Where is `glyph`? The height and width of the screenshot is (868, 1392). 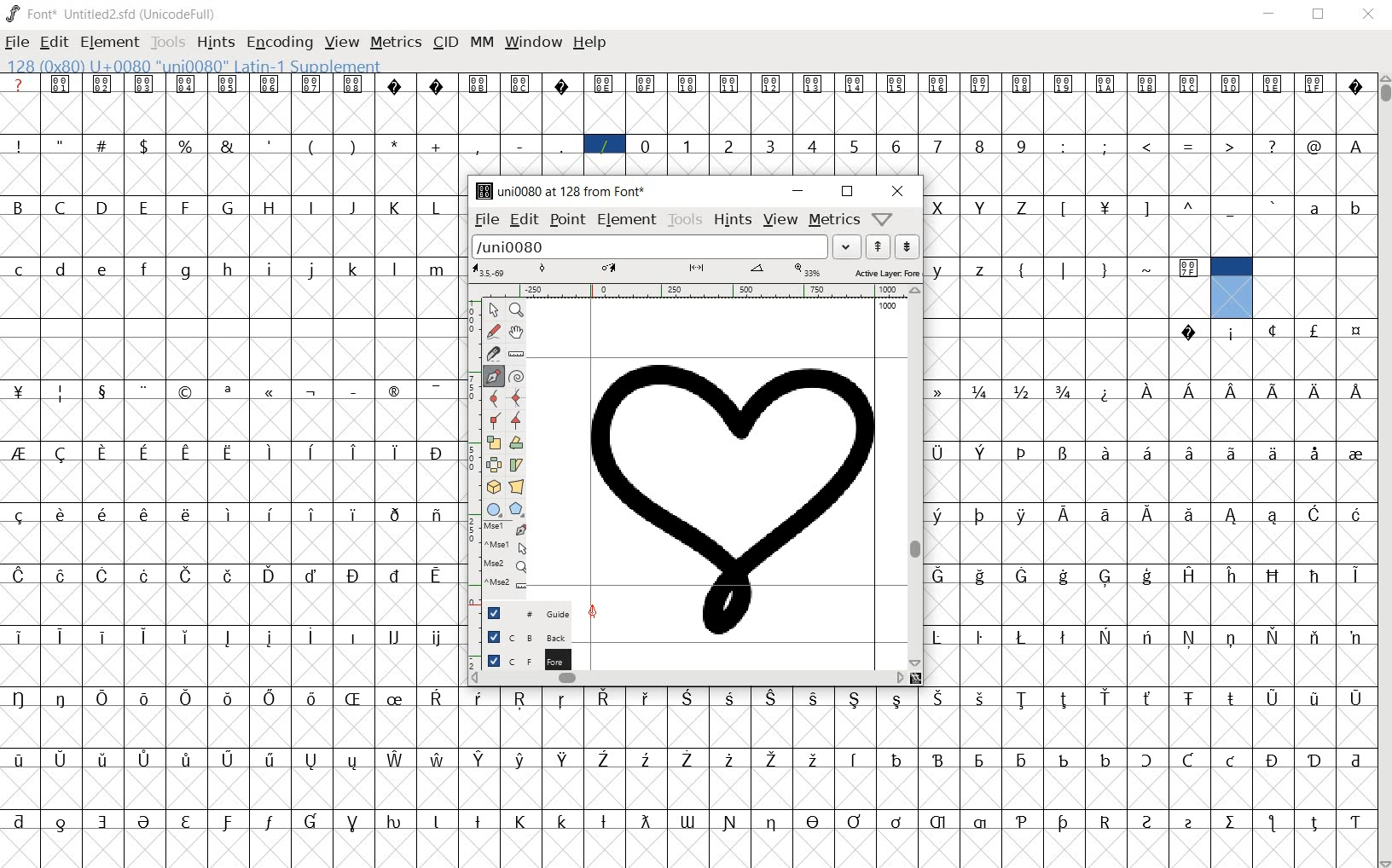 glyph is located at coordinates (1022, 516).